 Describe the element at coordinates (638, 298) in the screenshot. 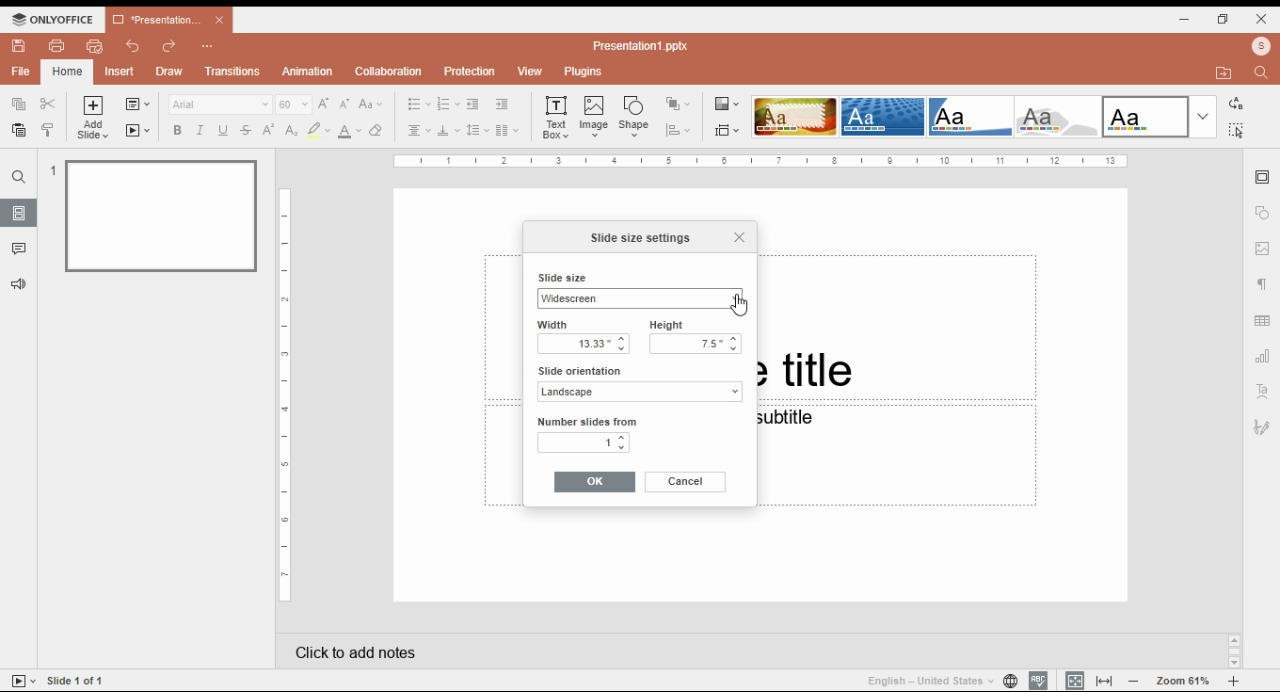

I see `Widescreen` at that location.